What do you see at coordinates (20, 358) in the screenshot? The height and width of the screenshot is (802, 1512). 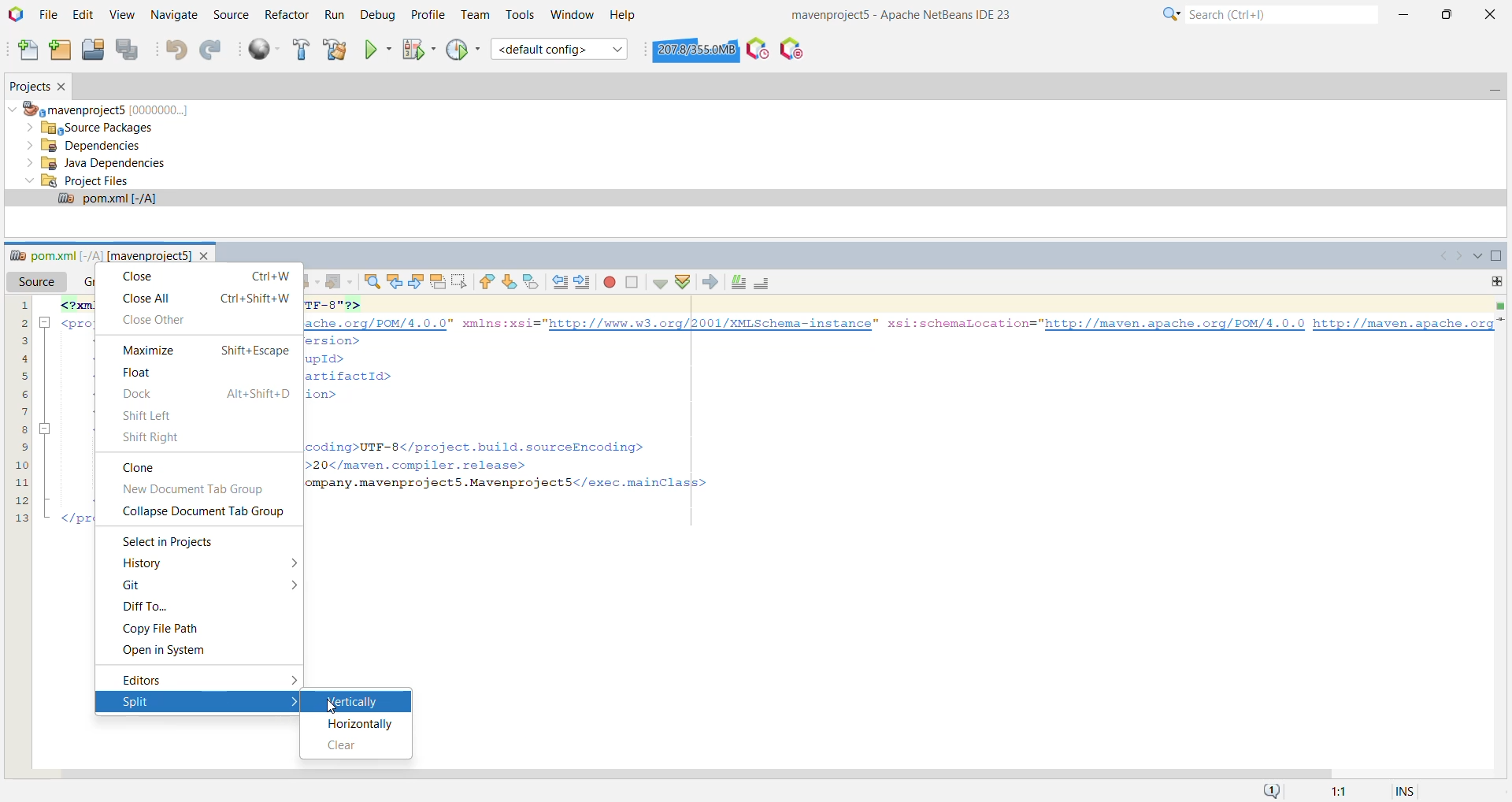 I see `4` at bounding box center [20, 358].